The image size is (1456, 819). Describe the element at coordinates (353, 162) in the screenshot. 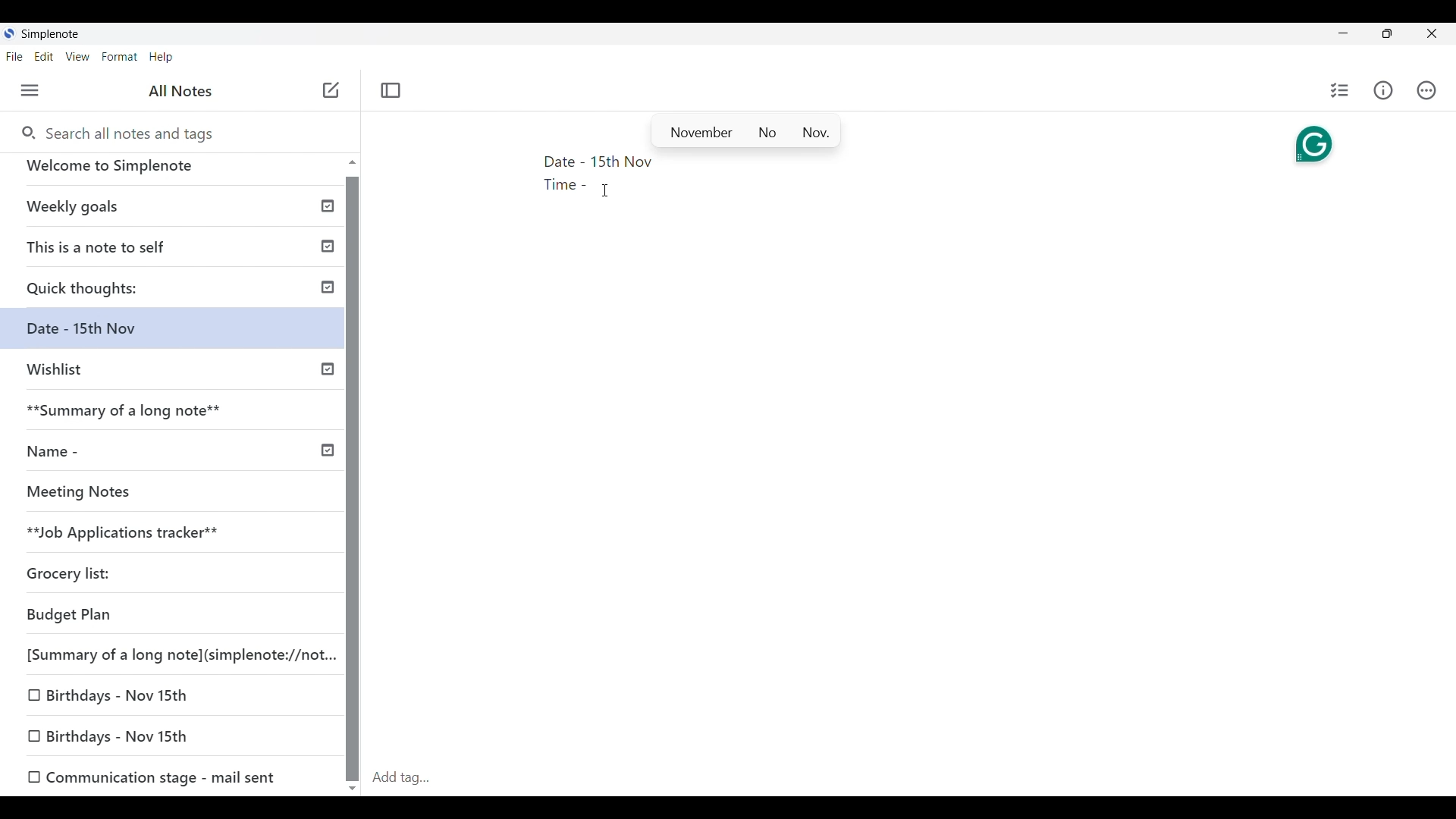

I see `Quick slide to top` at that location.